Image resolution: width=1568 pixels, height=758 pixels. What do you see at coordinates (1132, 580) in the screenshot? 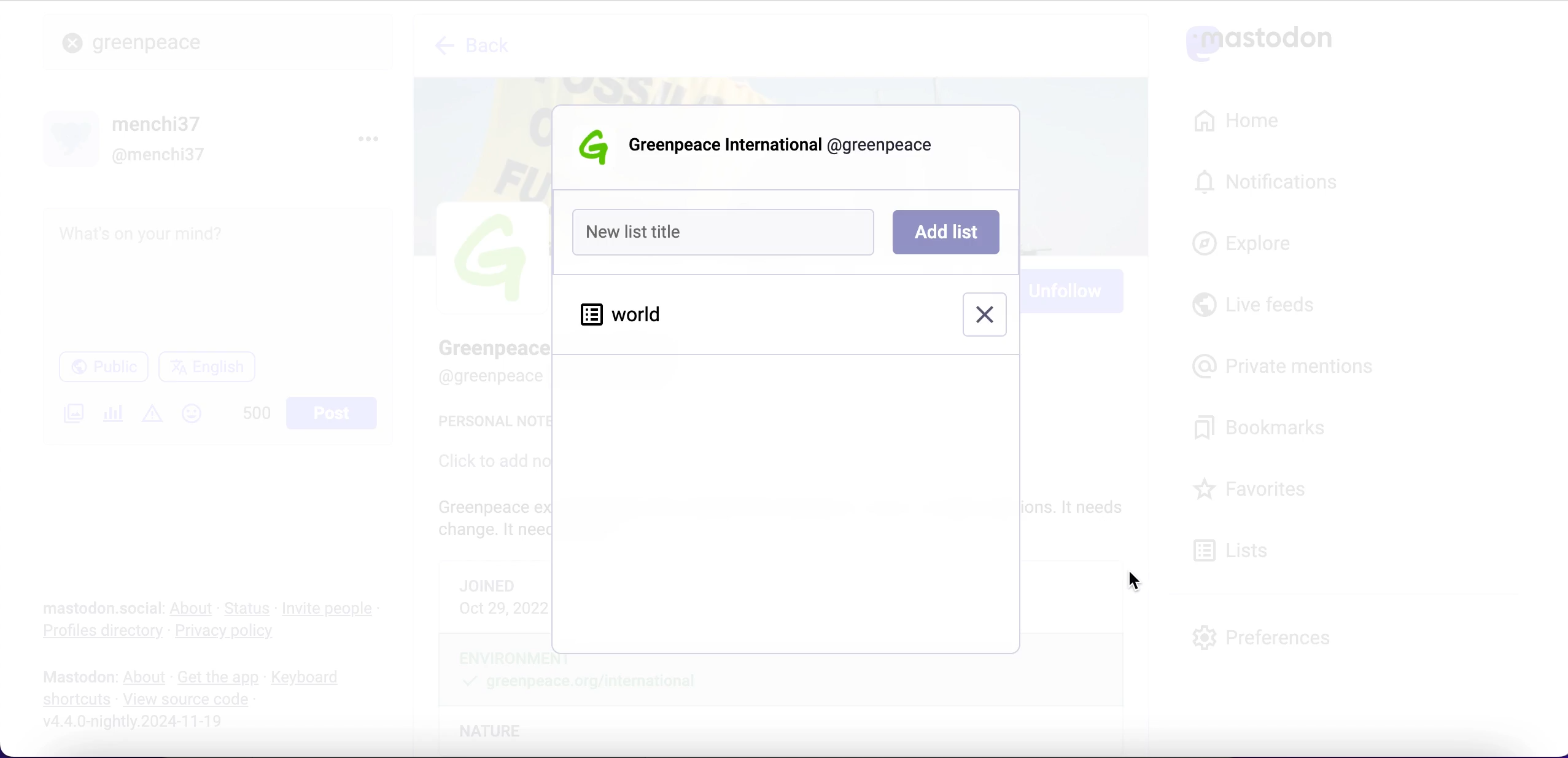
I see `cursor` at bounding box center [1132, 580].